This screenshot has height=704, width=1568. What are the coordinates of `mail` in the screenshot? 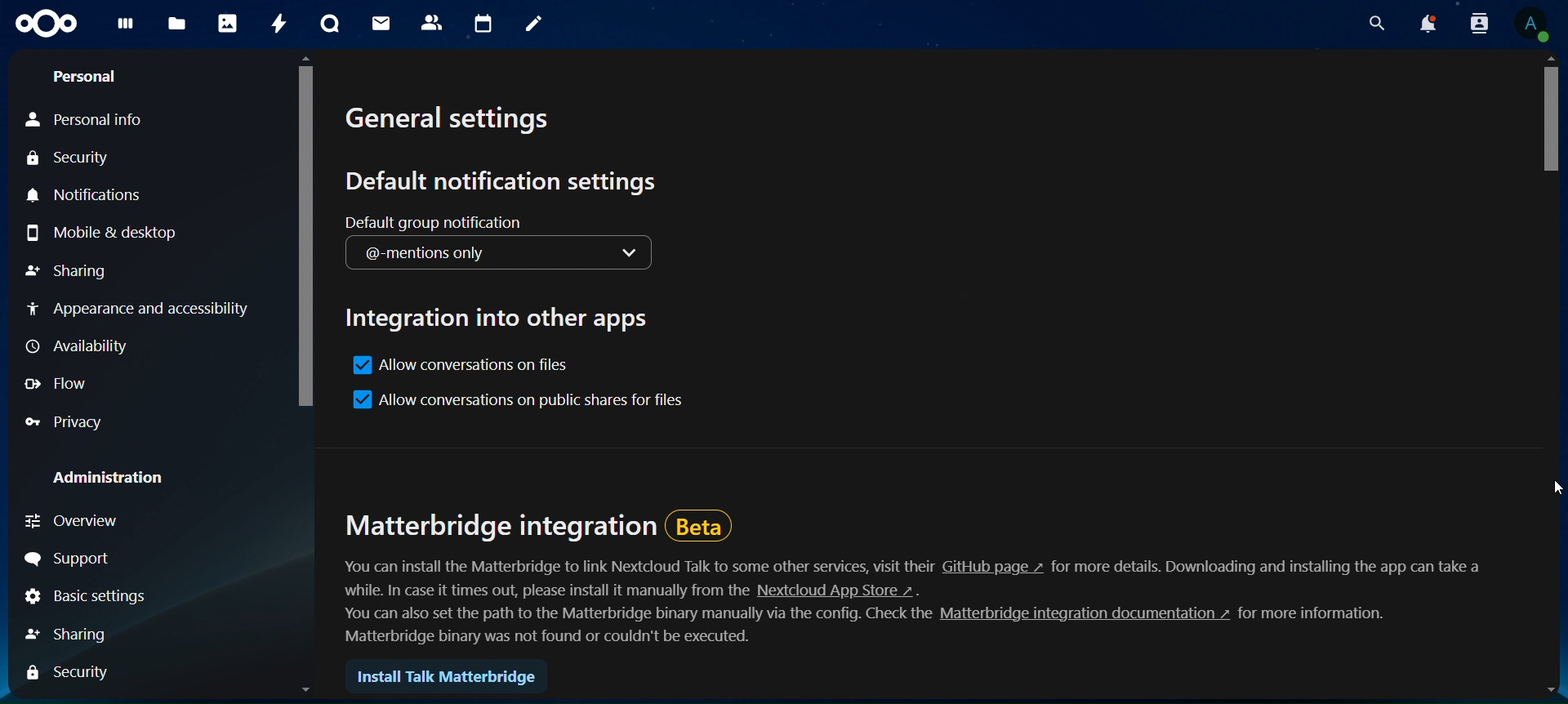 It's located at (378, 23).